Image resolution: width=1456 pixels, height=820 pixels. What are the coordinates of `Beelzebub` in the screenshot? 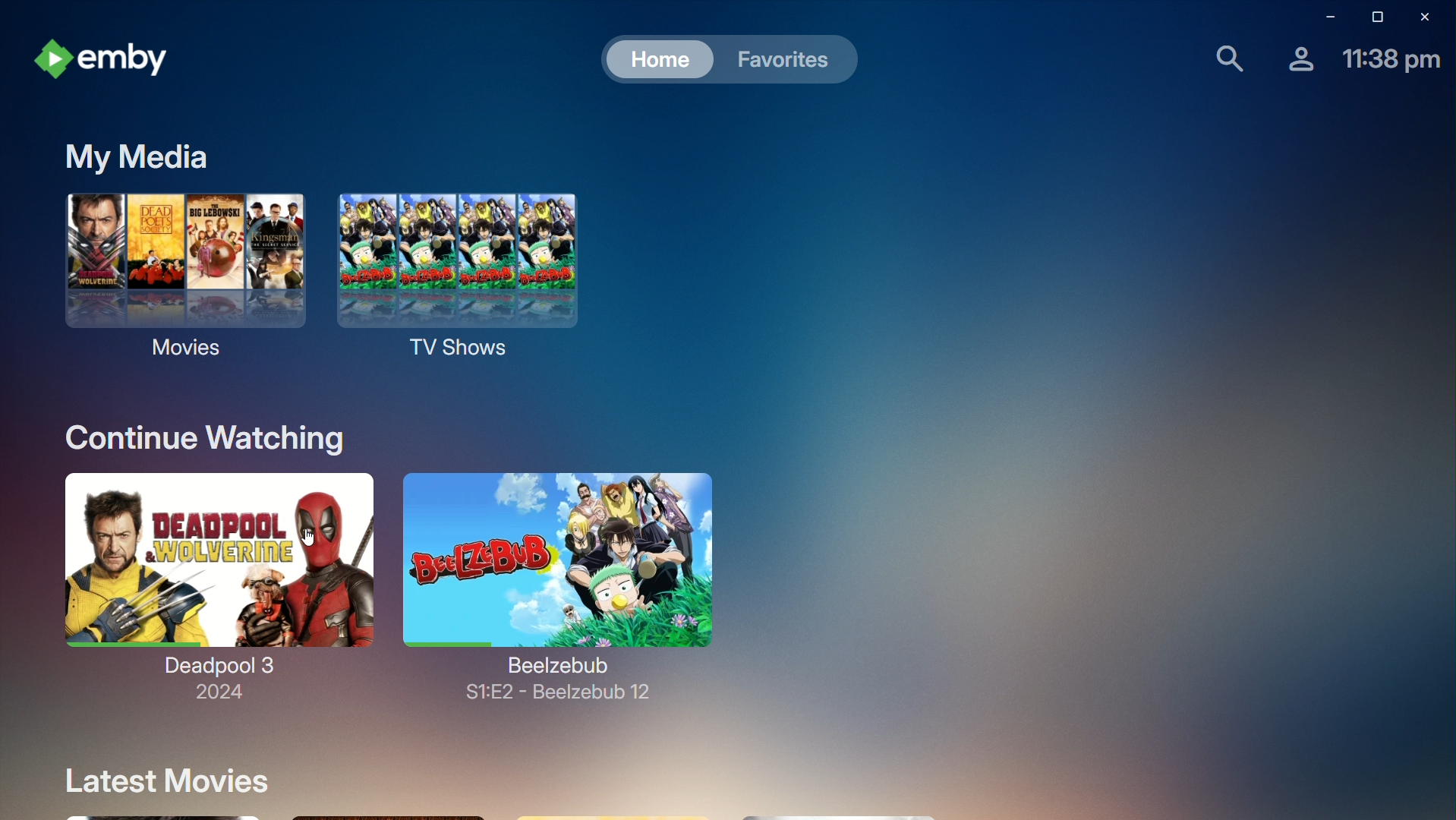 It's located at (559, 571).